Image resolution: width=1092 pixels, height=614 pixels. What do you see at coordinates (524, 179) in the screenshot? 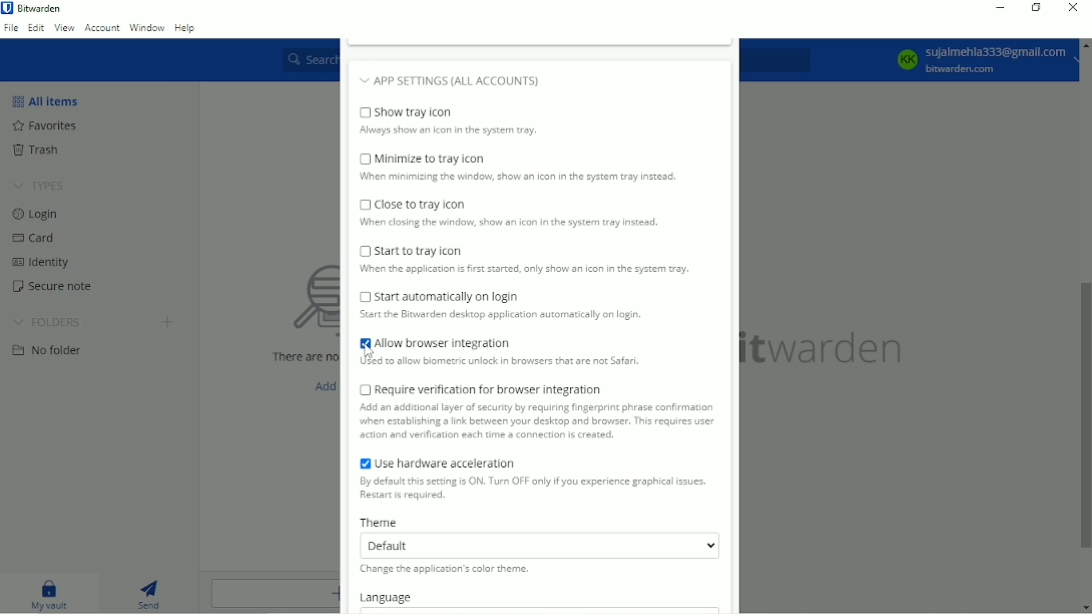
I see `When minimizing the window, show an icon in the system tray instead` at bounding box center [524, 179].